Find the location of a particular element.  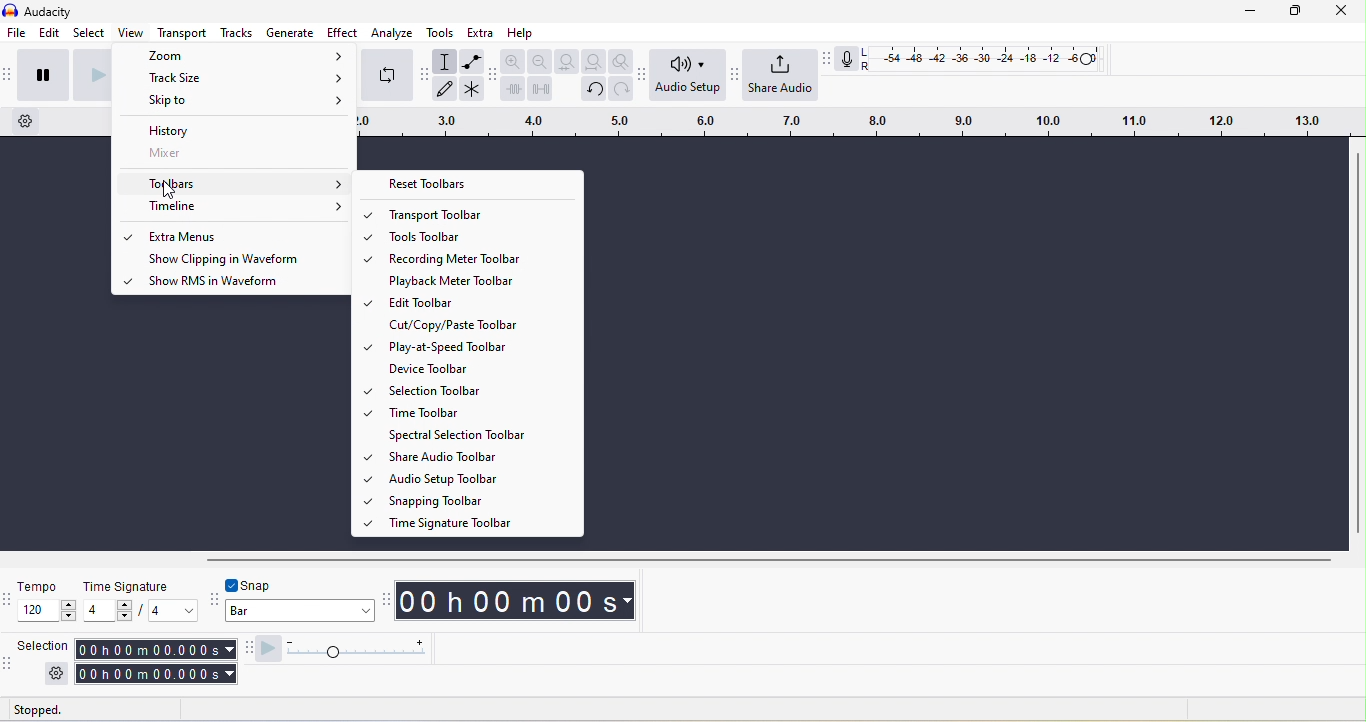

vertical toolbar is located at coordinates (1358, 343).